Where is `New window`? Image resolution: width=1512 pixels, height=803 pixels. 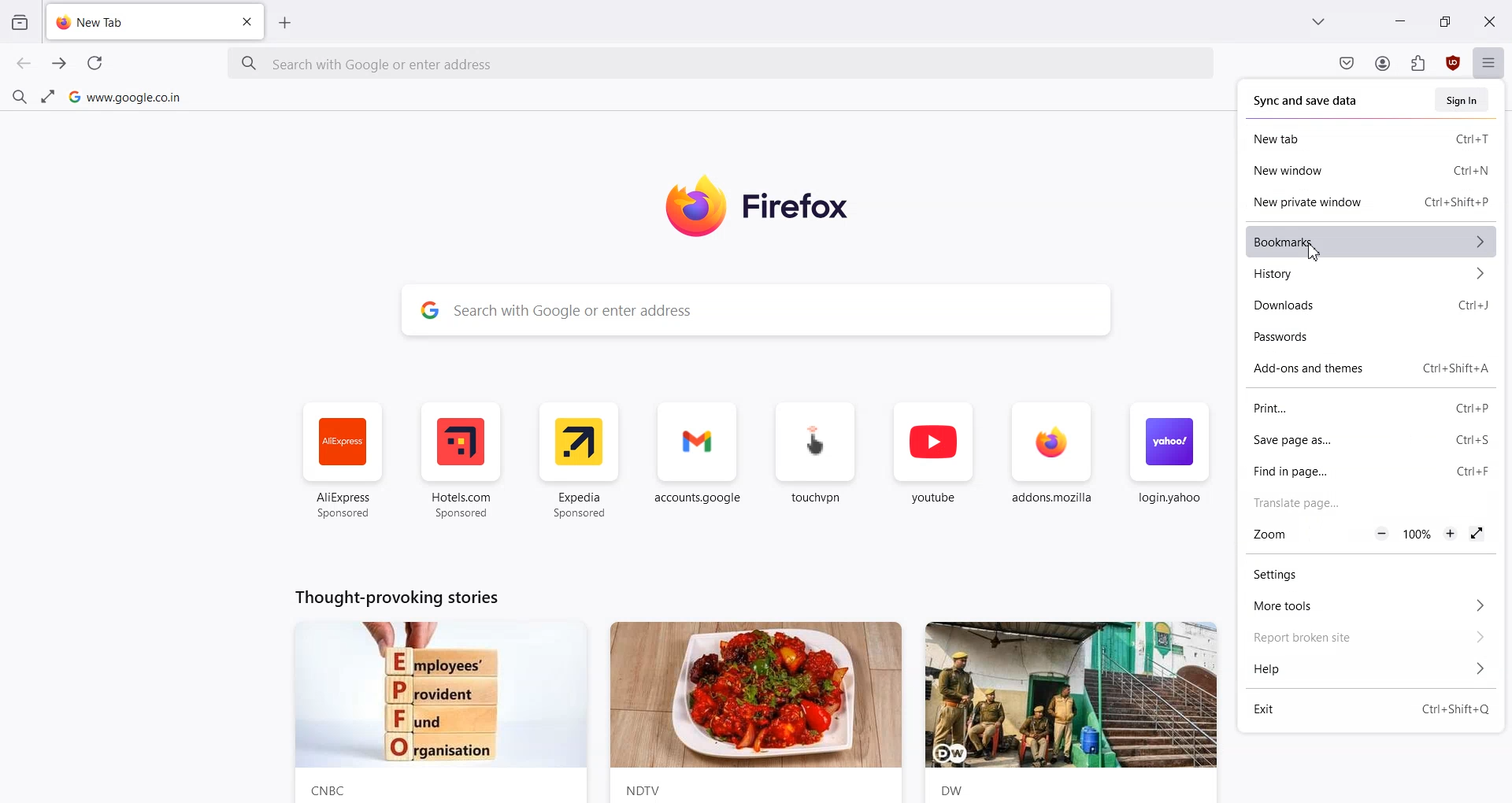 New window is located at coordinates (1325, 171).